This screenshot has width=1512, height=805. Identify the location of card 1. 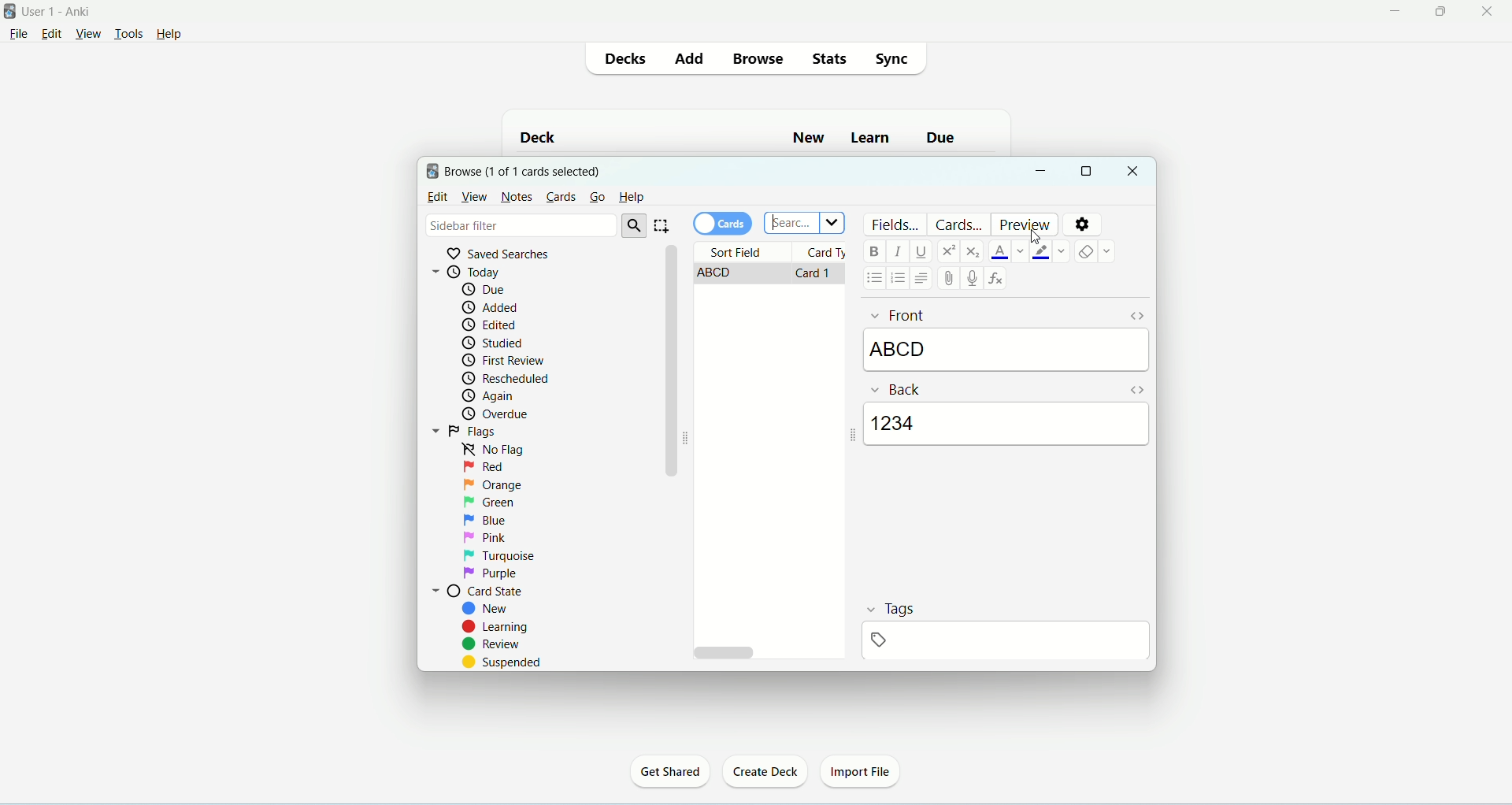
(817, 274).